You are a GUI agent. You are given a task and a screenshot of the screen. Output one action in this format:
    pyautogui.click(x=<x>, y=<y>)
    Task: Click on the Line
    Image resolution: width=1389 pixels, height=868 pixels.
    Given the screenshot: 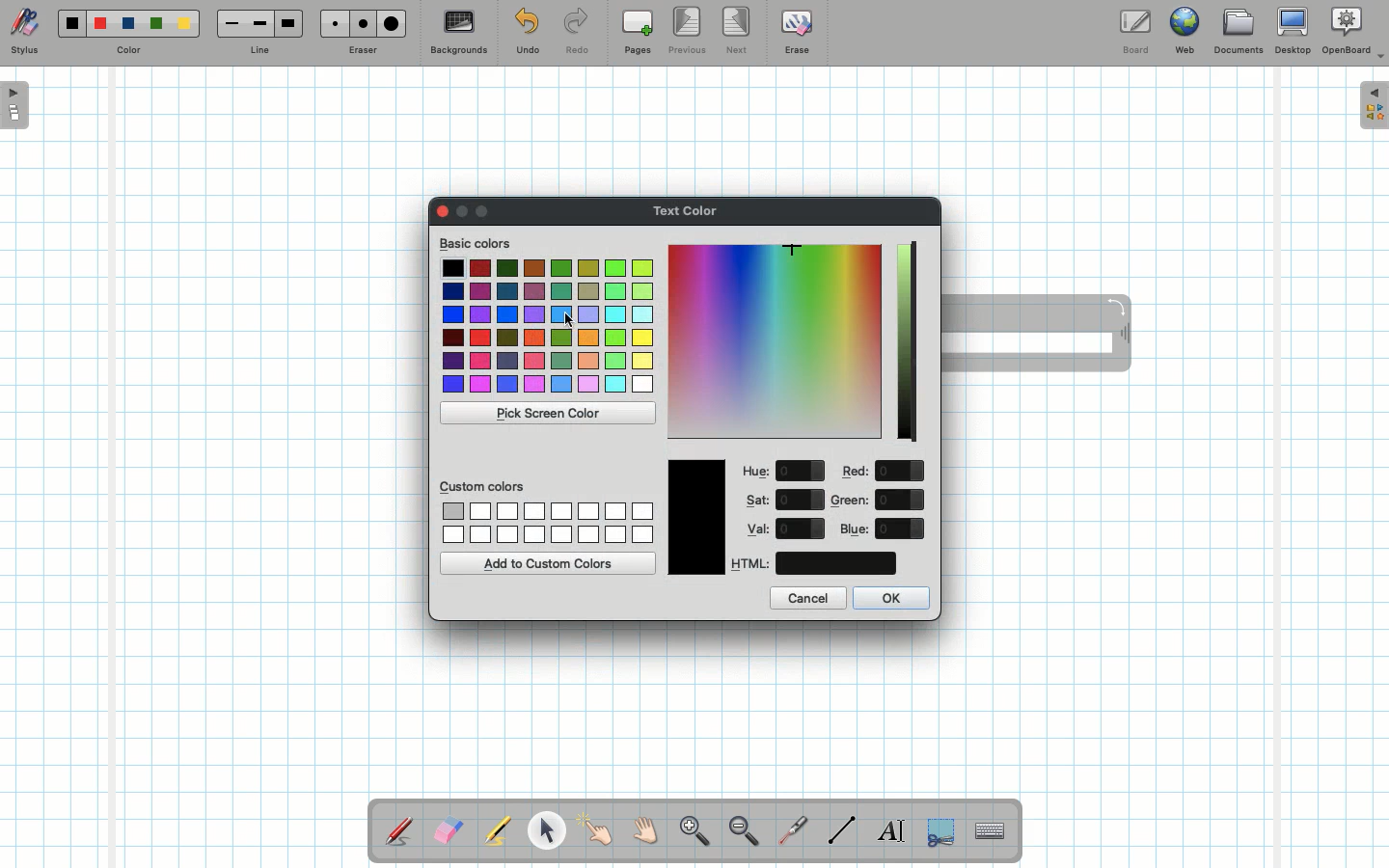 What is the action you would take?
    pyautogui.click(x=259, y=51)
    